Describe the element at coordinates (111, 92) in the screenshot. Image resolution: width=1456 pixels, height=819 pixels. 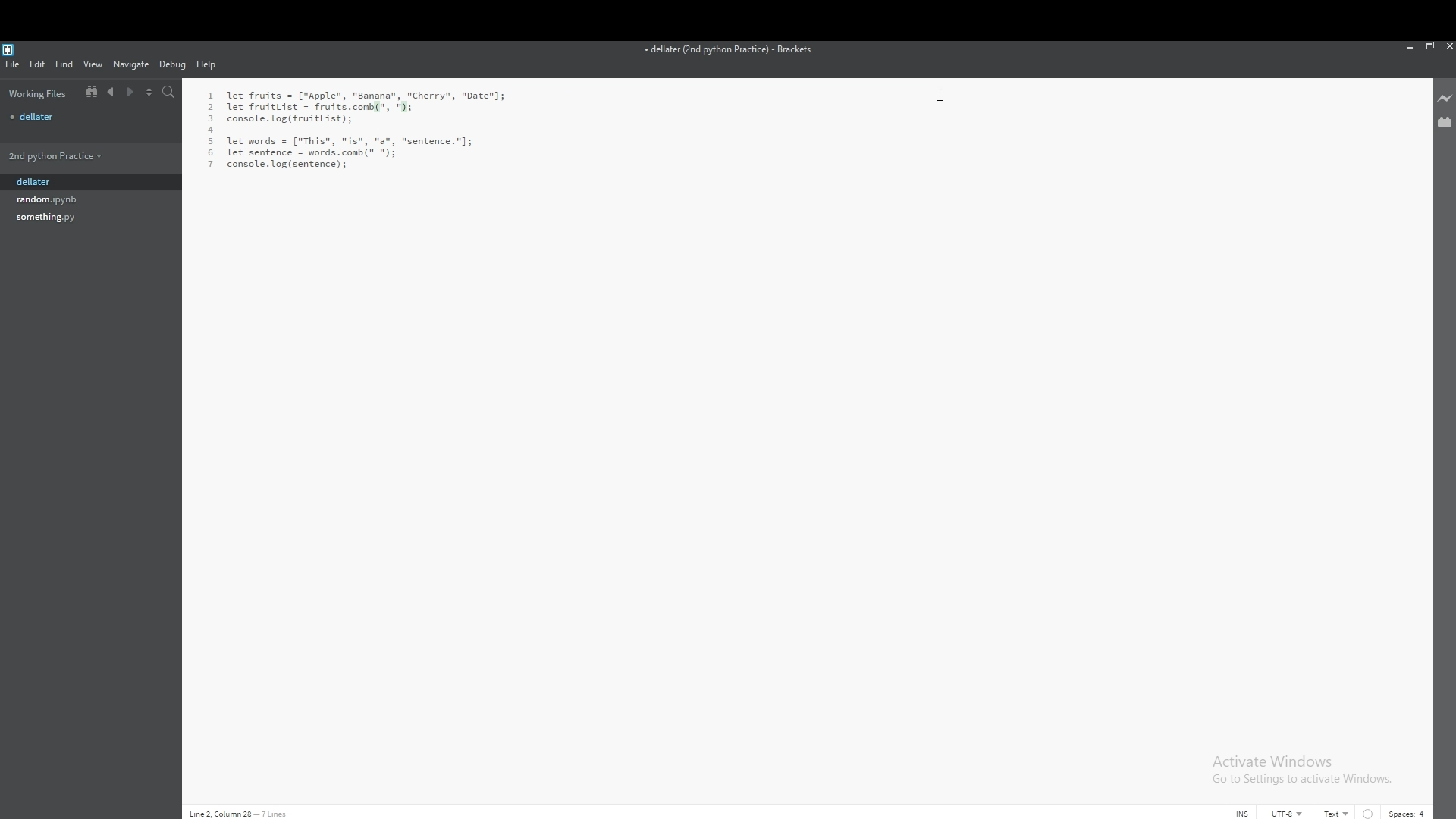
I see `previous` at that location.